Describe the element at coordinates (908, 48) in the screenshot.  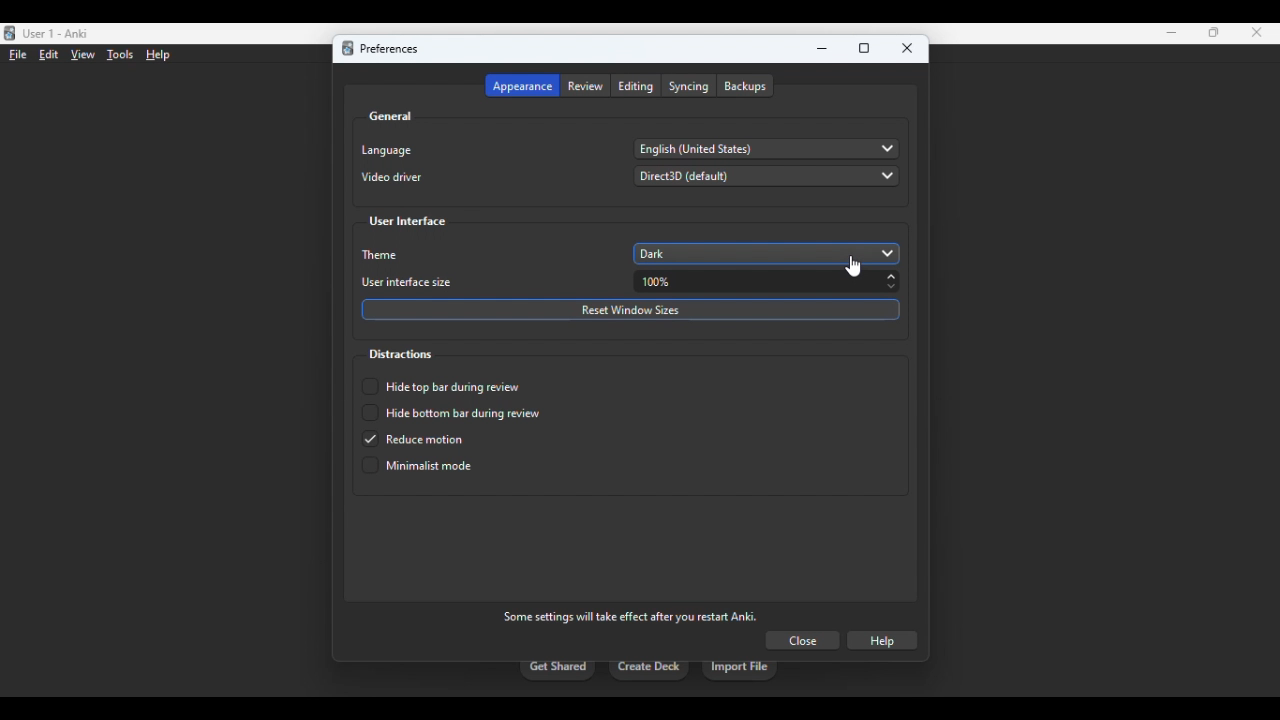
I see `close` at that location.